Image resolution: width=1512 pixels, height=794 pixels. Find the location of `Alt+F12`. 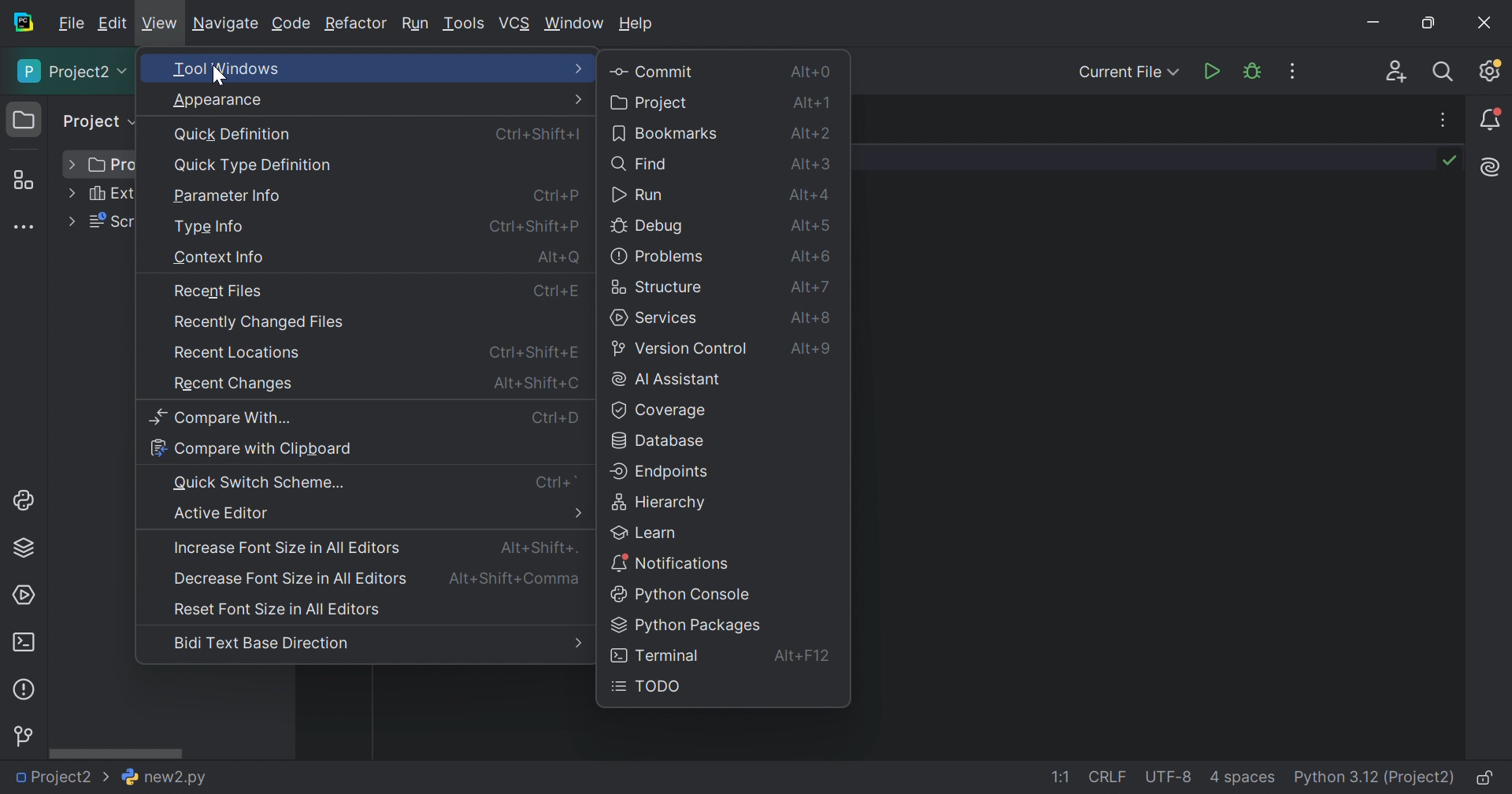

Alt+F12 is located at coordinates (806, 658).